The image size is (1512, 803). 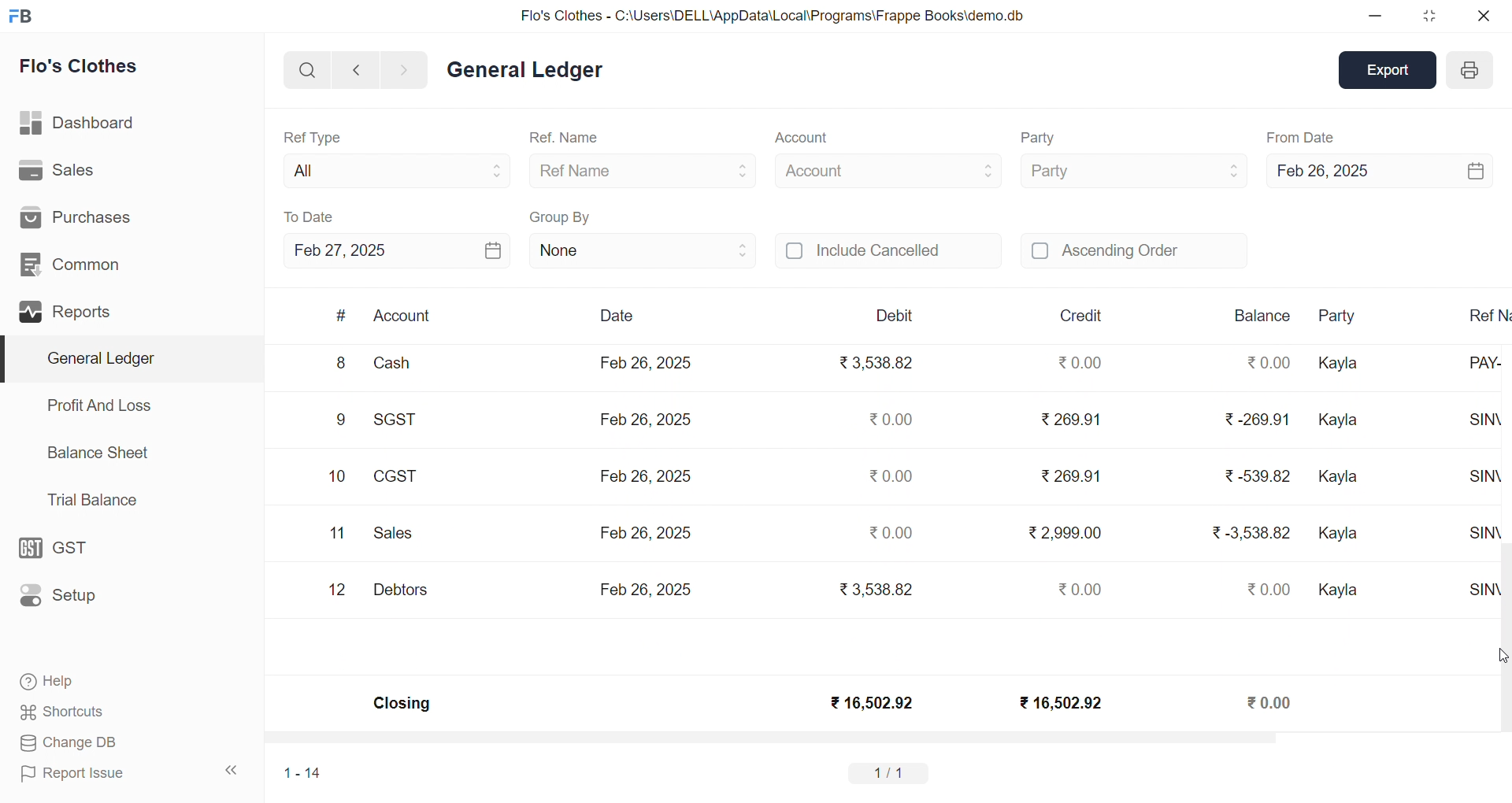 I want to click on Feb 26, 2025, so click(x=649, y=417).